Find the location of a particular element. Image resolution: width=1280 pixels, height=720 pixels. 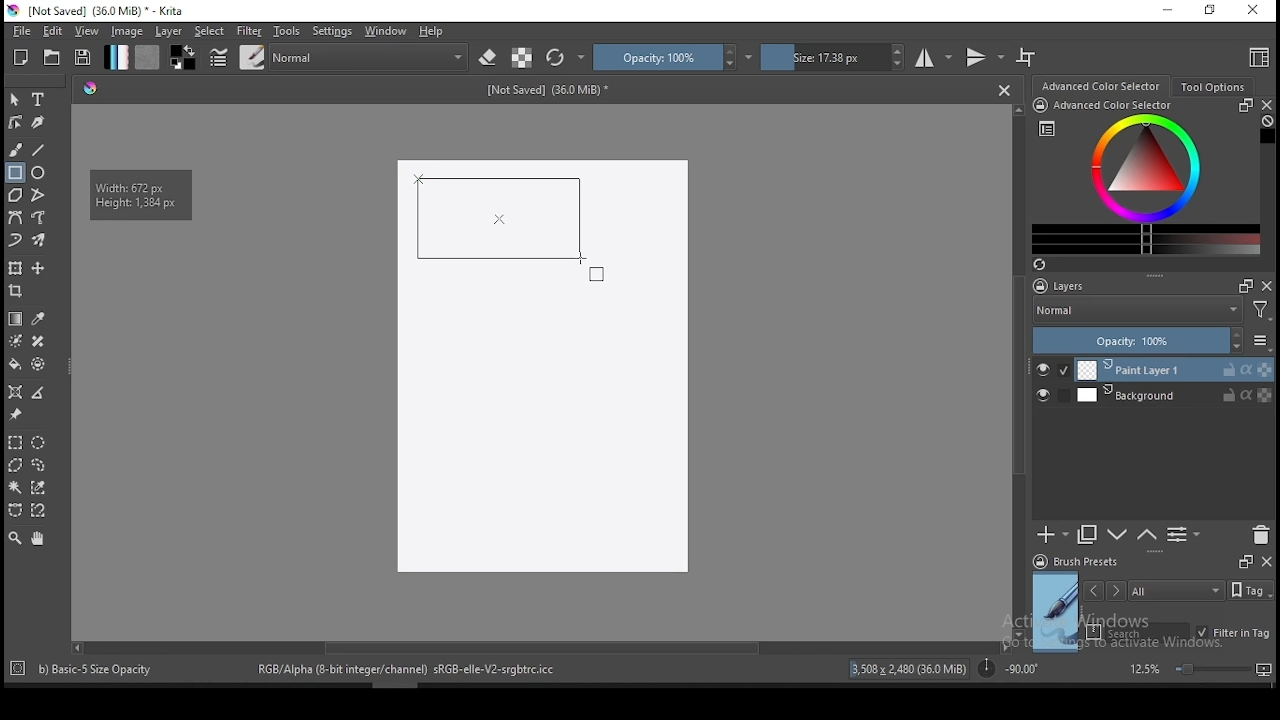

layer is located at coordinates (1174, 395).